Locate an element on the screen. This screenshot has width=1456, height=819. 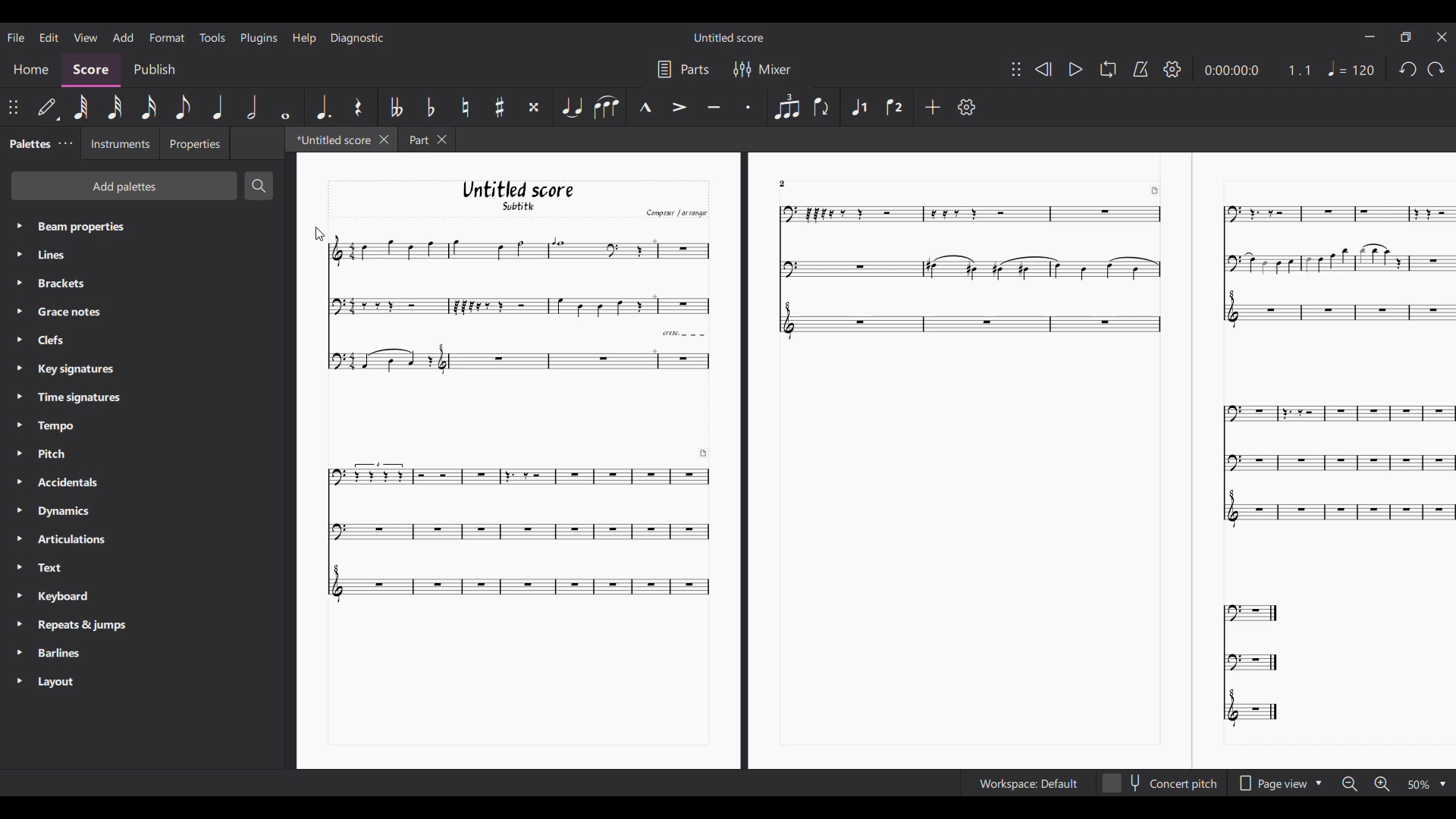
 is located at coordinates (21, 428).